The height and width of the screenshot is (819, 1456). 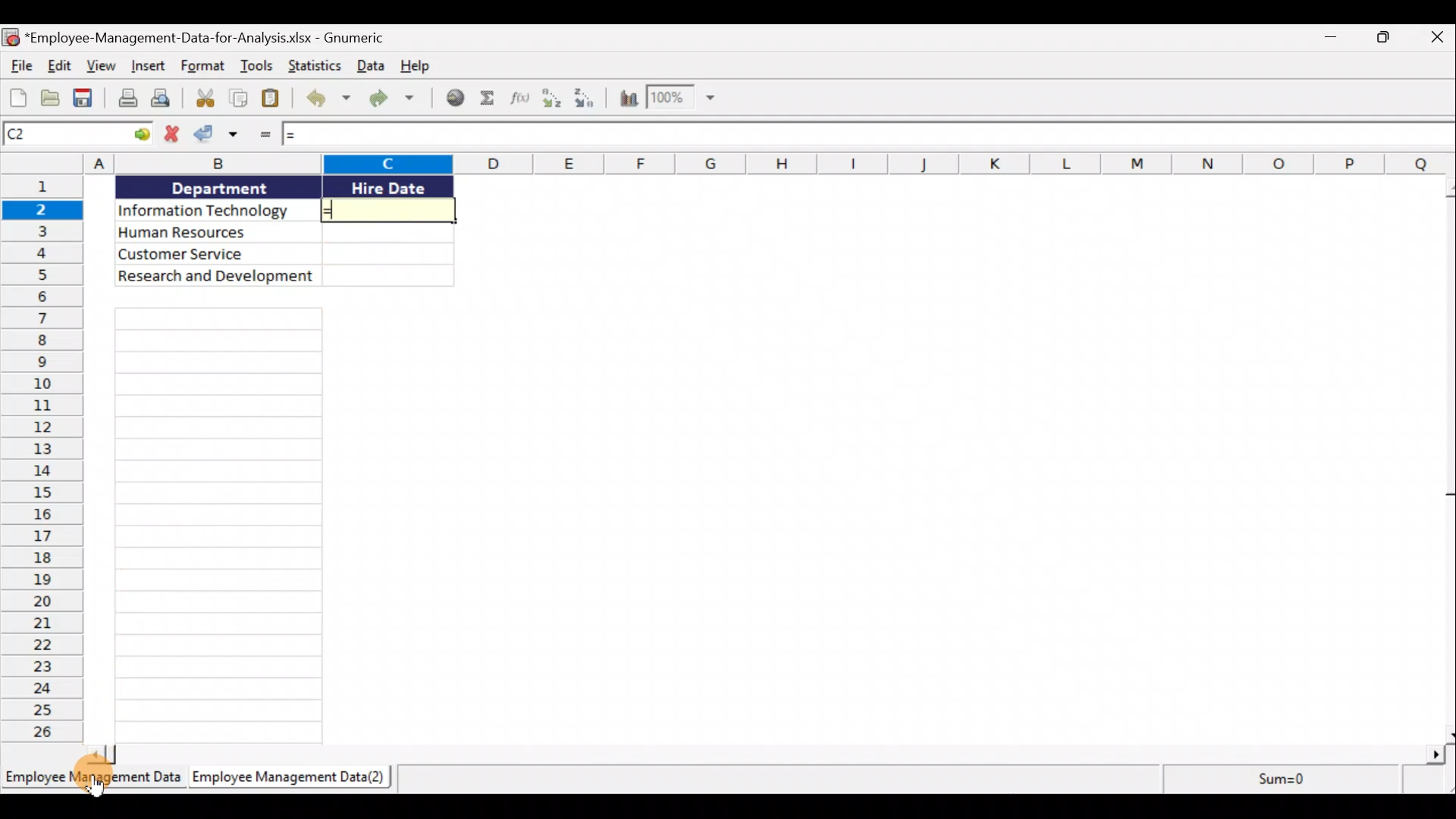 I want to click on Maximise, so click(x=1390, y=37).